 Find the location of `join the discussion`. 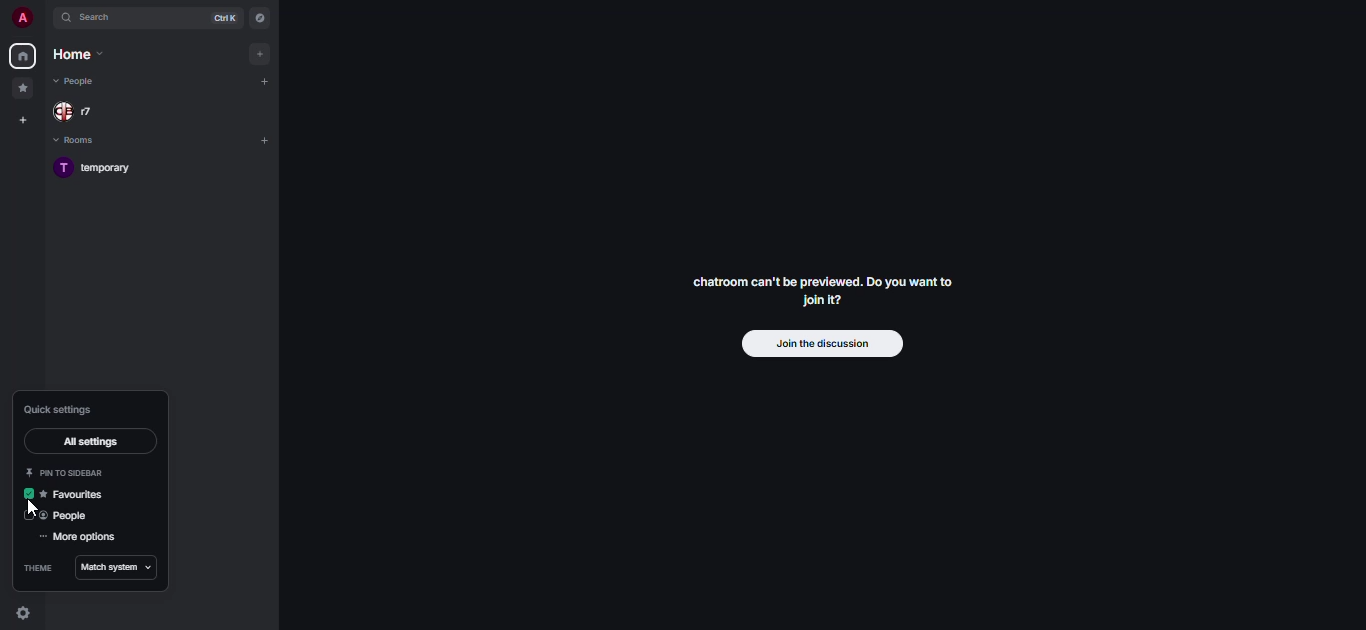

join the discussion is located at coordinates (821, 345).